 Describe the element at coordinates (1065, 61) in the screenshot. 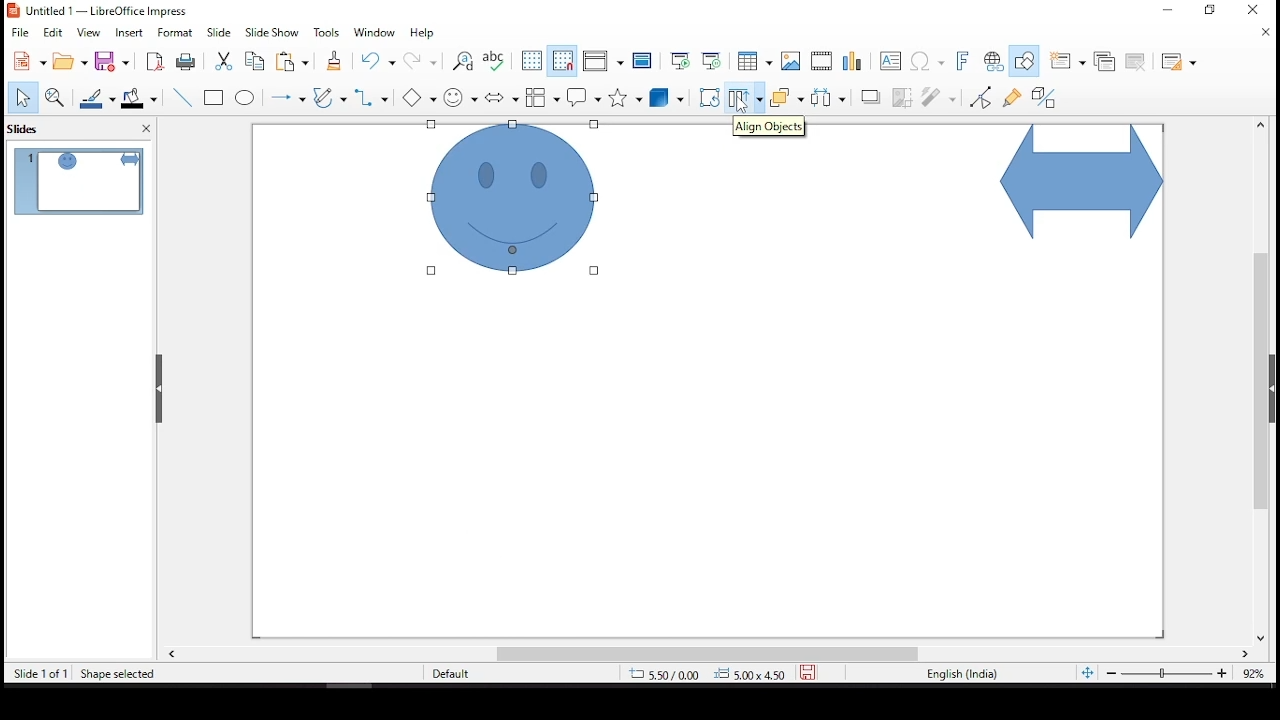

I see `new slide` at that location.